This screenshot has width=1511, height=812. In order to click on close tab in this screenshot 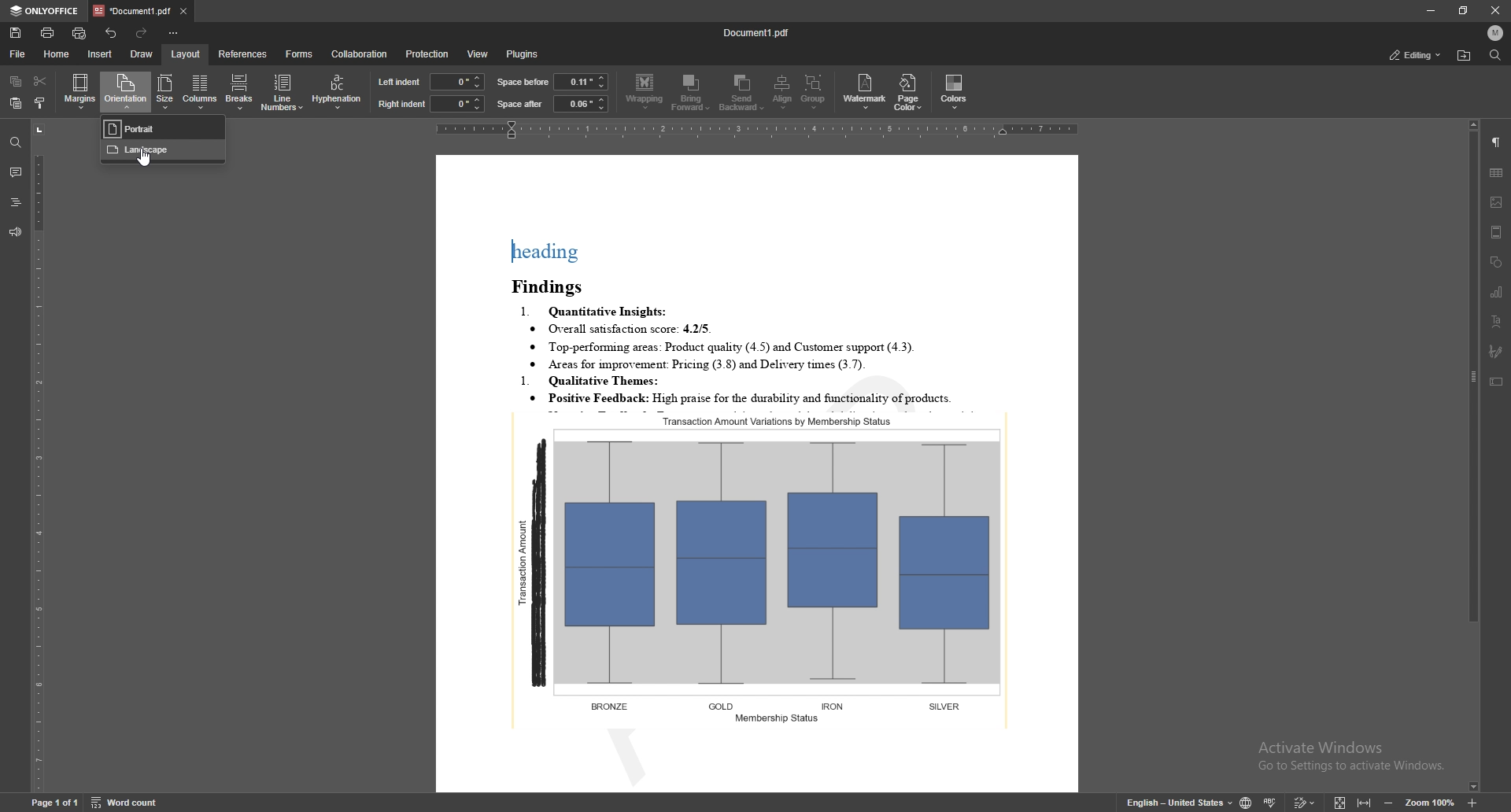, I will do `click(183, 10)`.